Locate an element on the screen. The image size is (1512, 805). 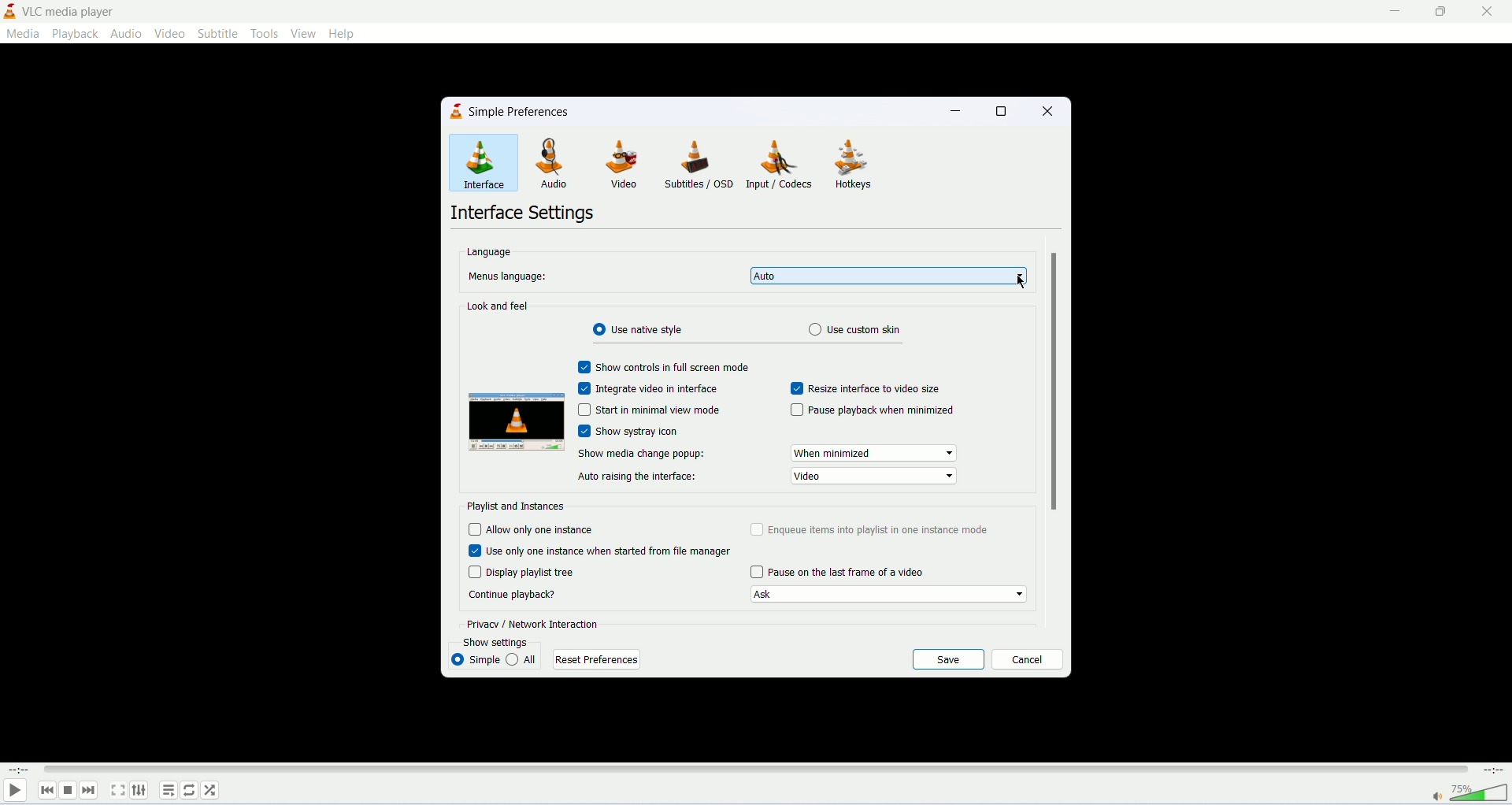
subtitle is located at coordinates (220, 34).